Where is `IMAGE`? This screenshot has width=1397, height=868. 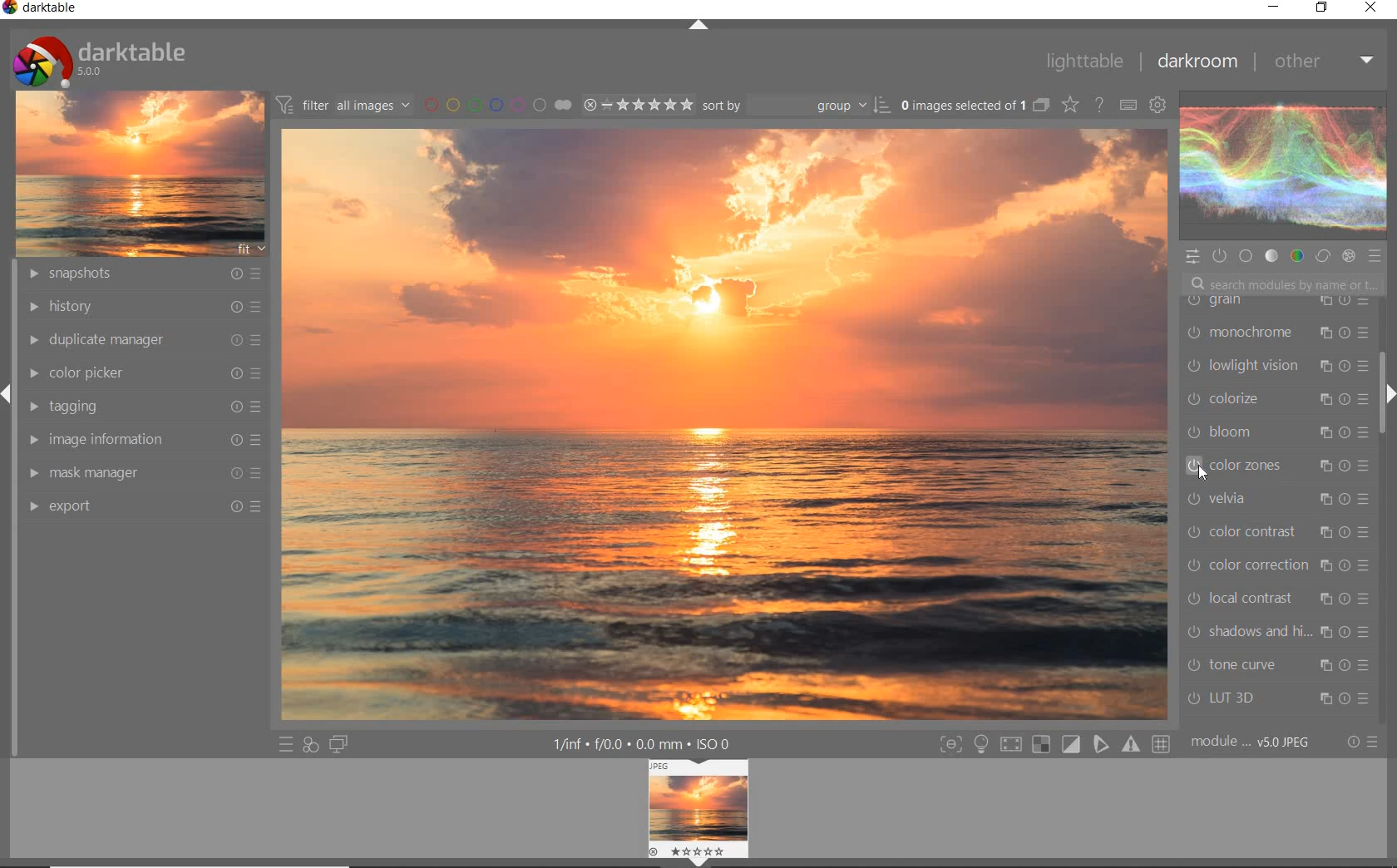
IMAGE is located at coordinates (140, 172).